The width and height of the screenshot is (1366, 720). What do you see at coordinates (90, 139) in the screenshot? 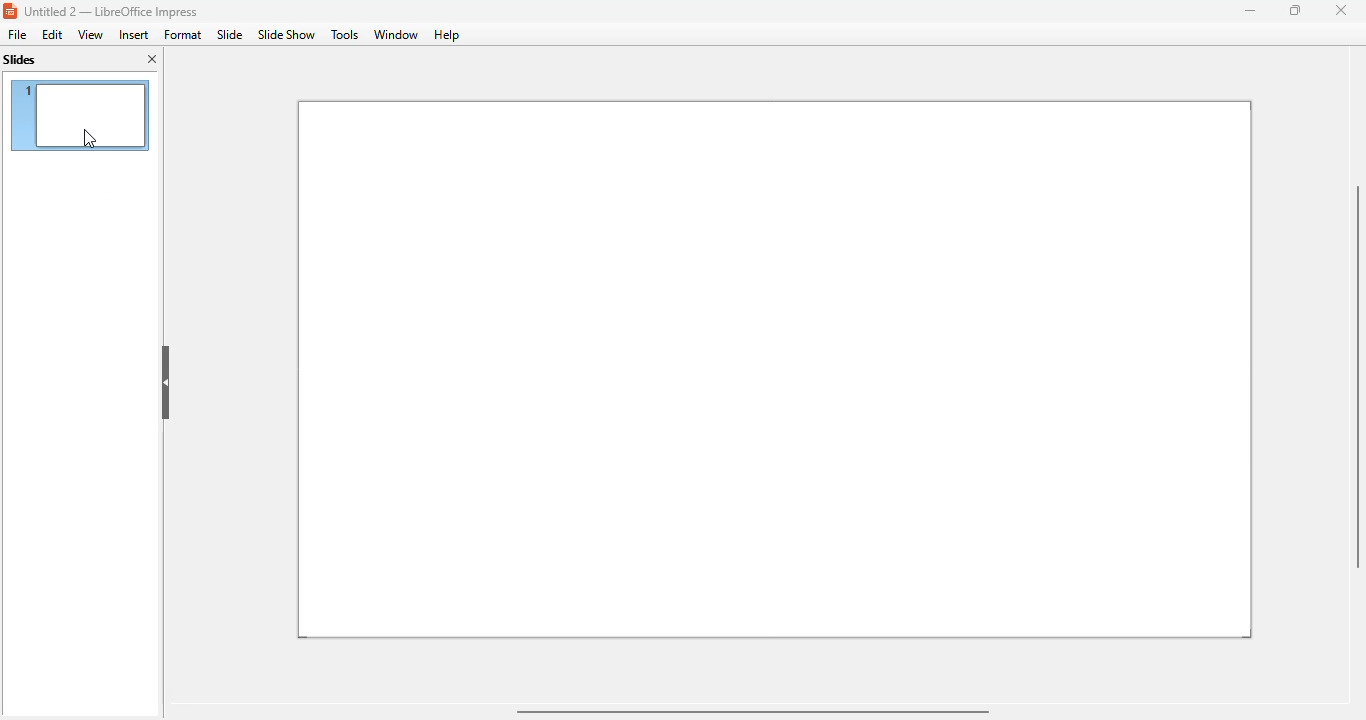
I see `cursor` at bounding box center [90, 139].